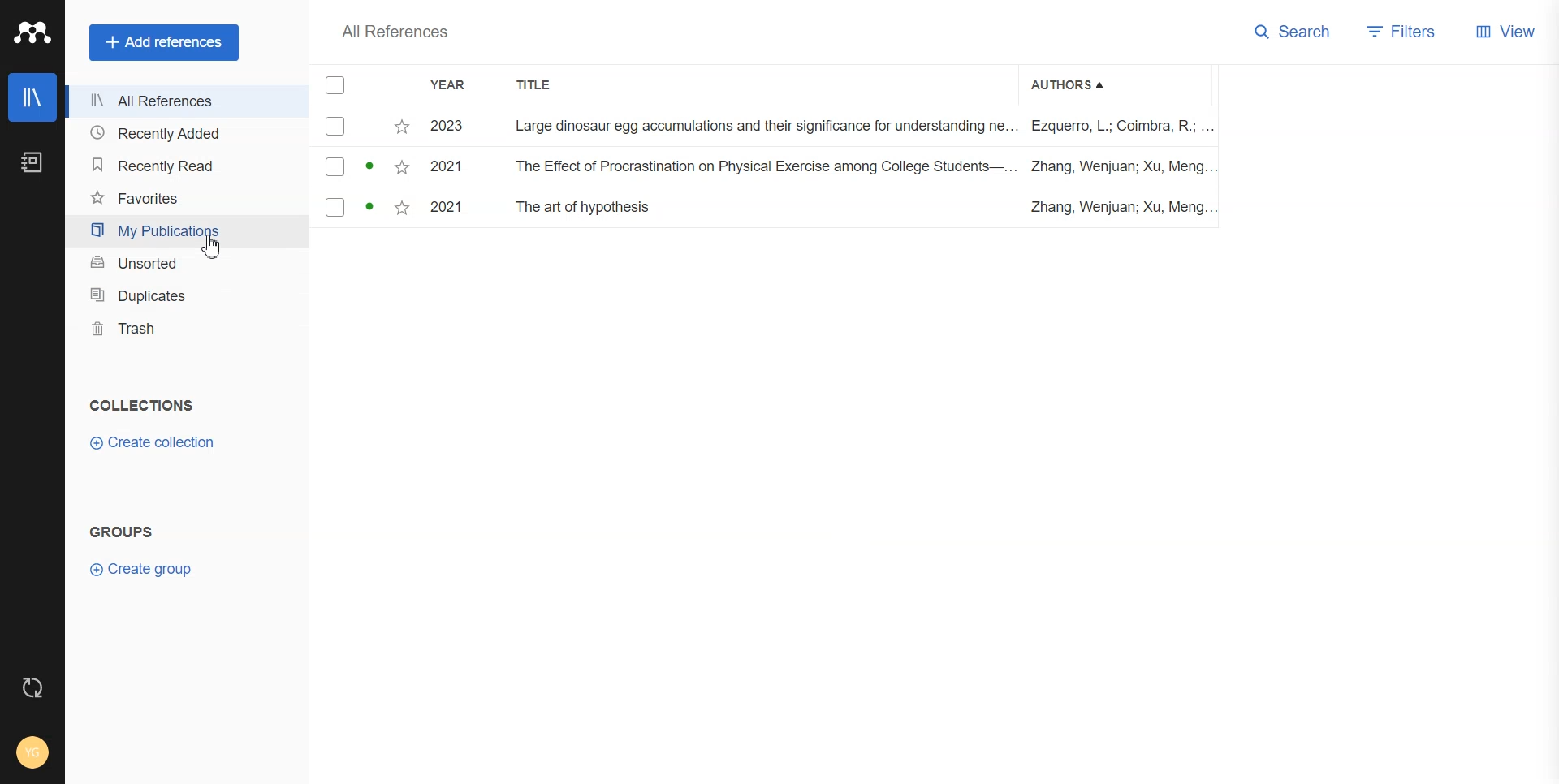  What do you see at coordinates (179, 134) in the screenshot?
I see `Recently added` at bounding box center [179, 134].